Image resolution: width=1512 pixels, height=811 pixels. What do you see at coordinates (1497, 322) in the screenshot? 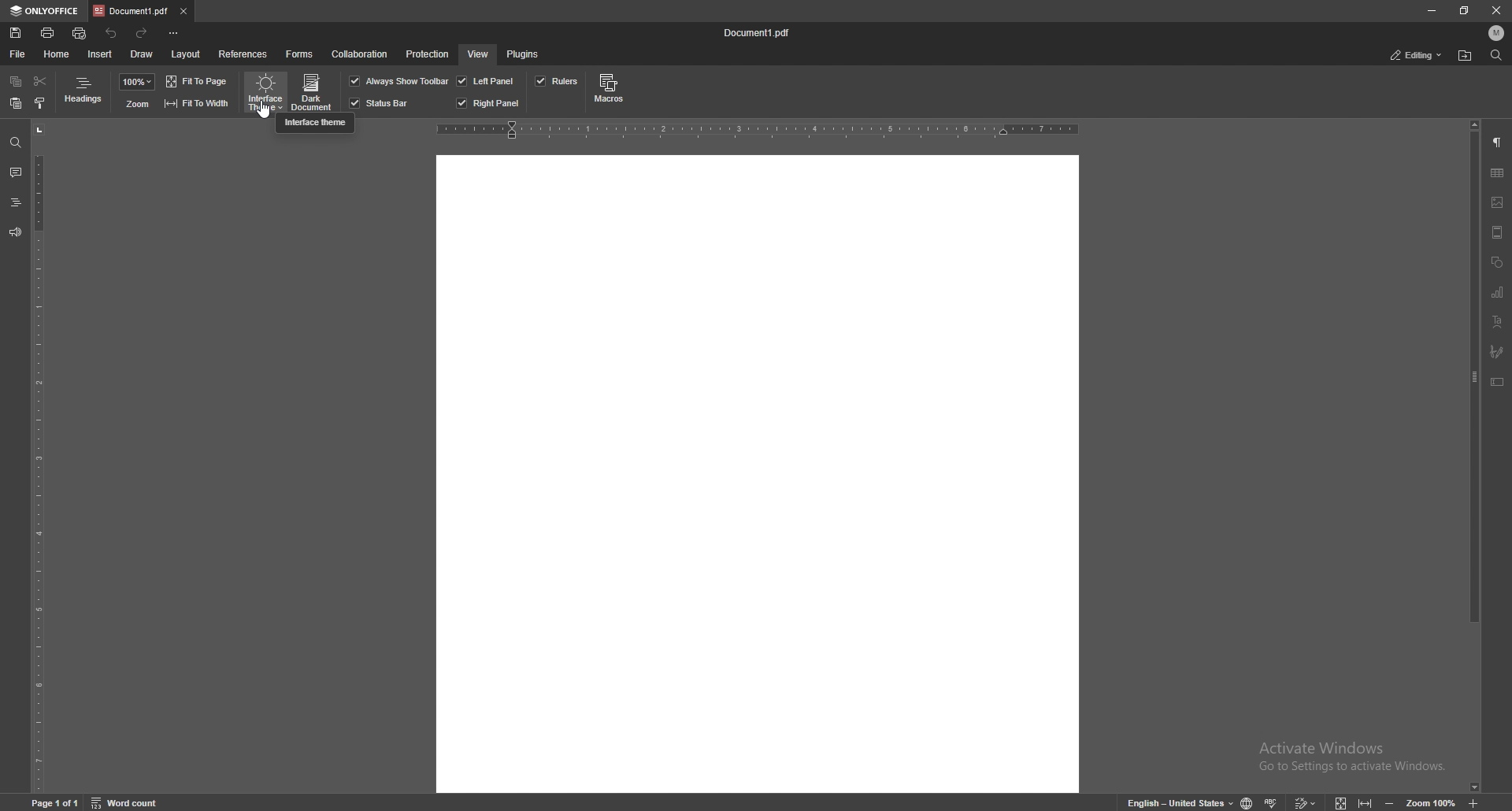
I see `text art` at bounding box center [1497, 322].